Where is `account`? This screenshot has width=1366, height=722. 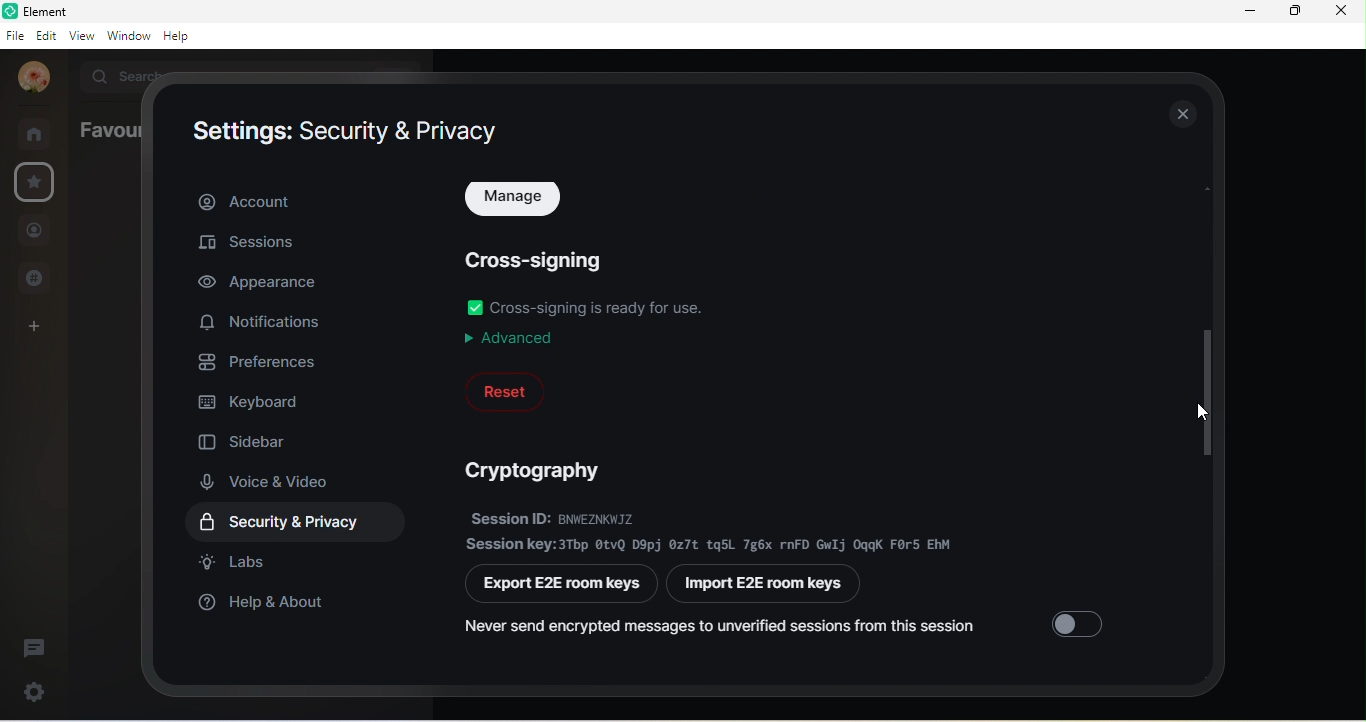
account is located at coordinates (31, 79).